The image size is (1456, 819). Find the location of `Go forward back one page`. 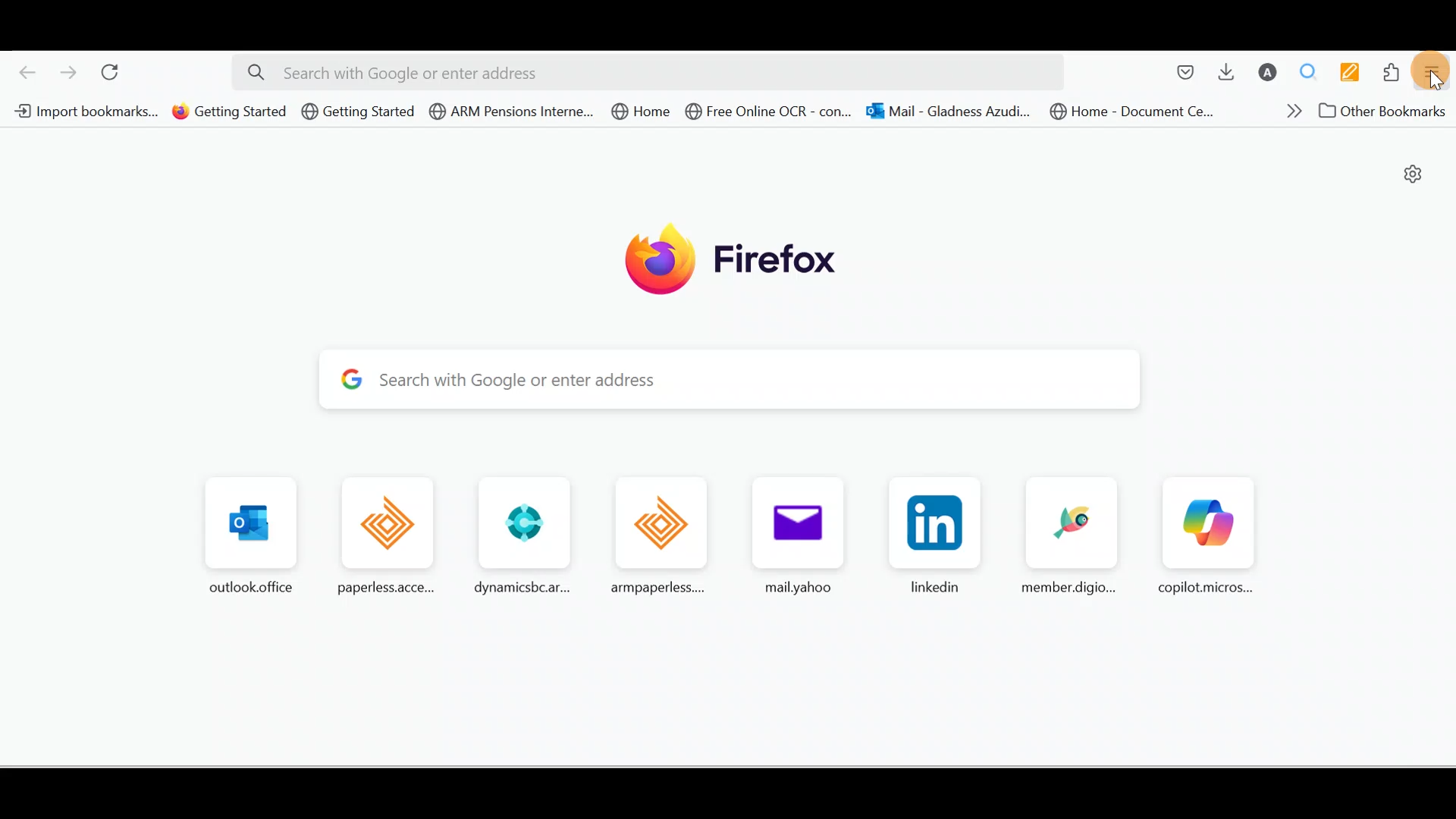

Go forward back one page is located at coordinates (71, 71).